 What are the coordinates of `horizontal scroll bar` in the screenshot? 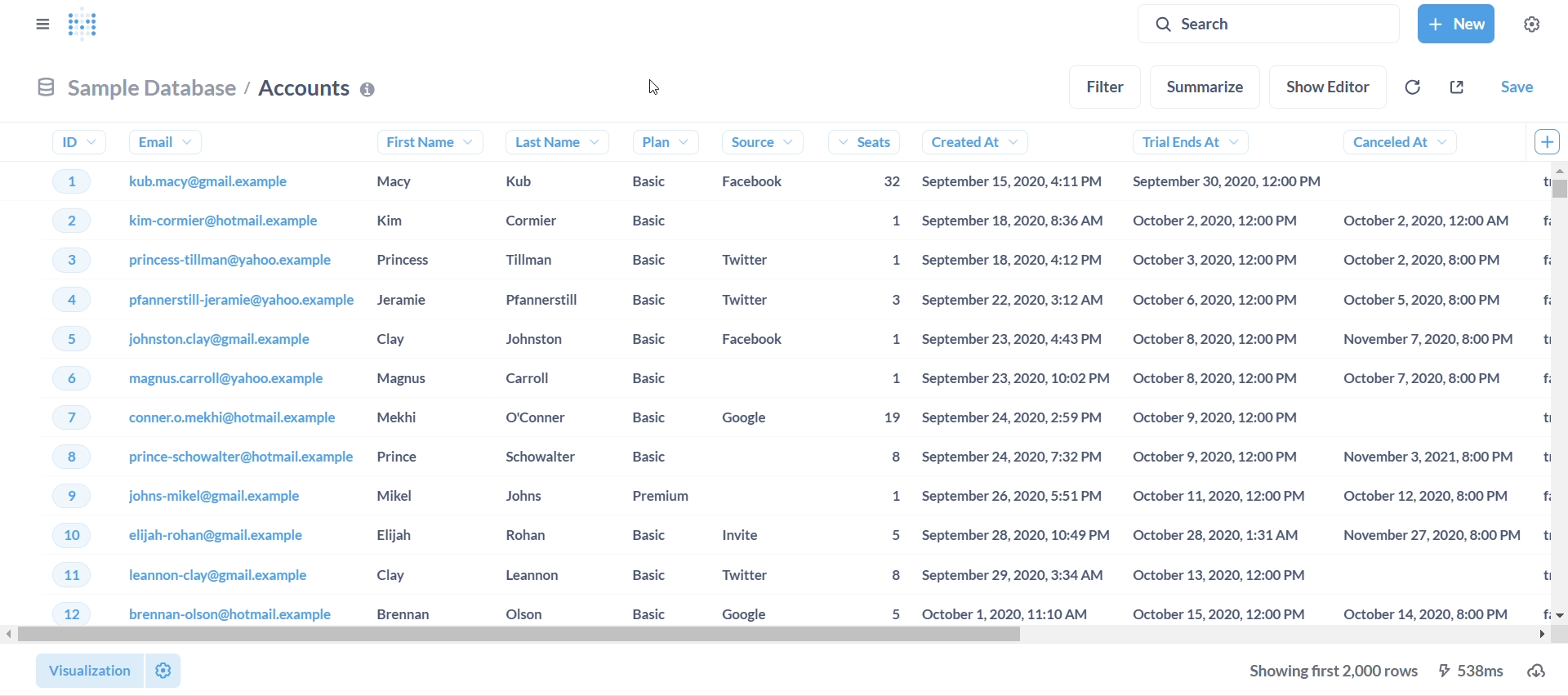 It's located at (787, 636).